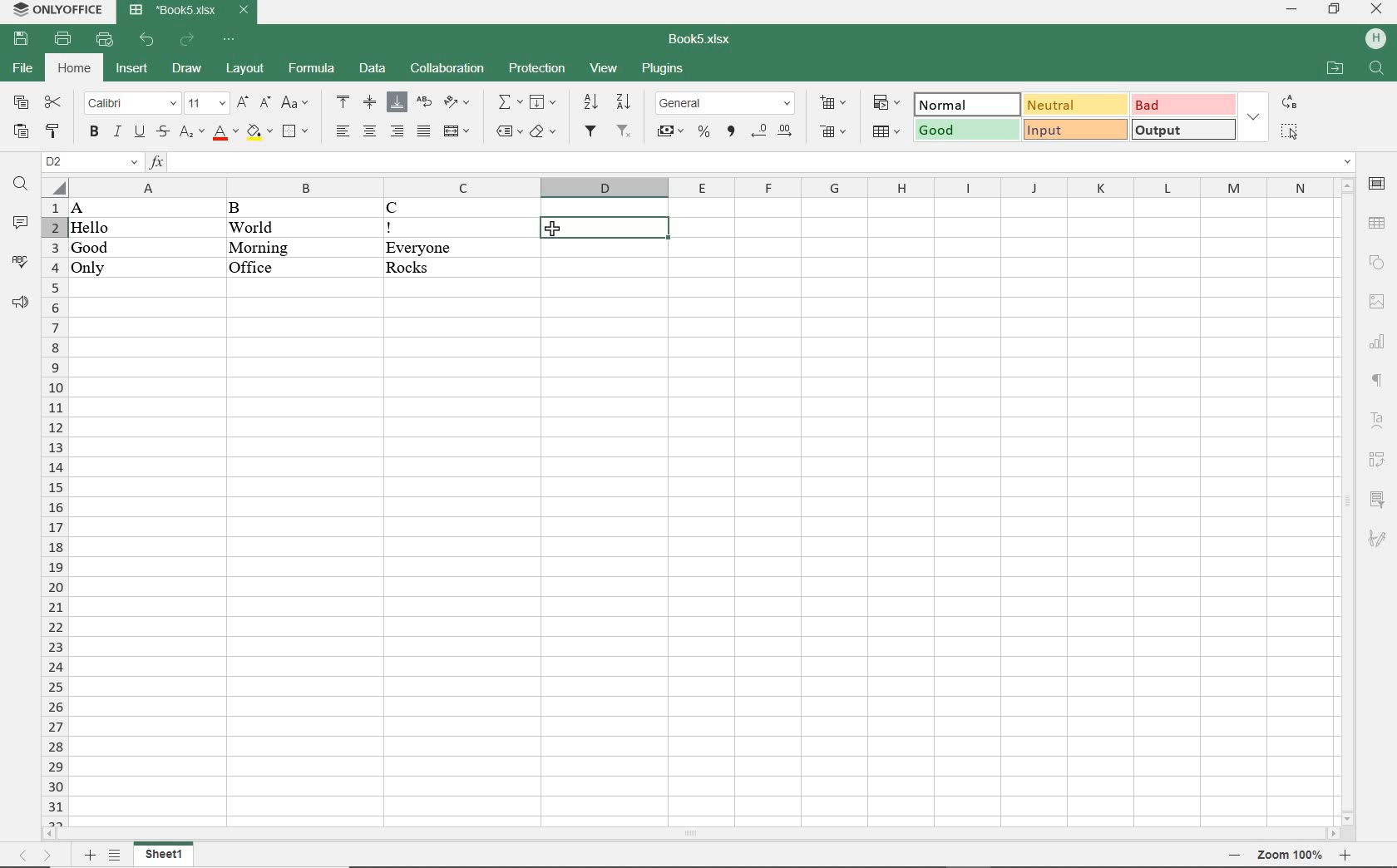 This screenshot has height=868, width=1397. Describe the element at coordinates (1288, 133) in the screenshot. I see `select all` at that location.